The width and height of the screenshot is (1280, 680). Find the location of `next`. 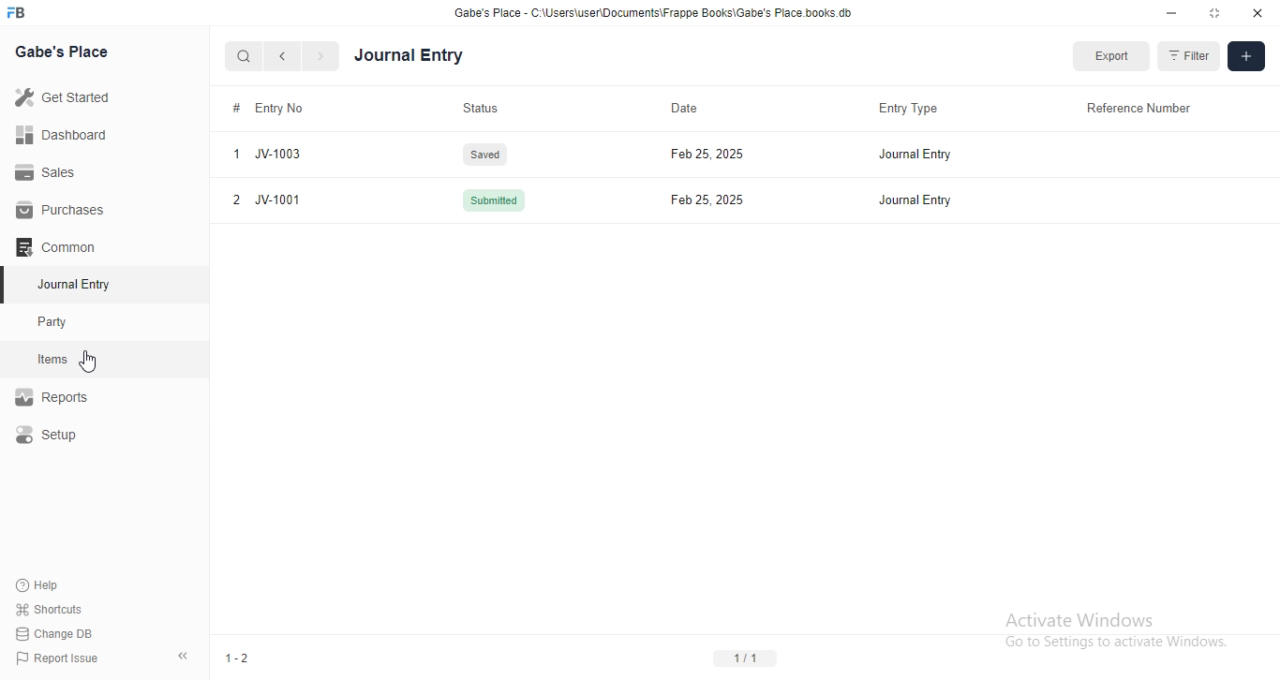

next is located at coordinates (318, 57).